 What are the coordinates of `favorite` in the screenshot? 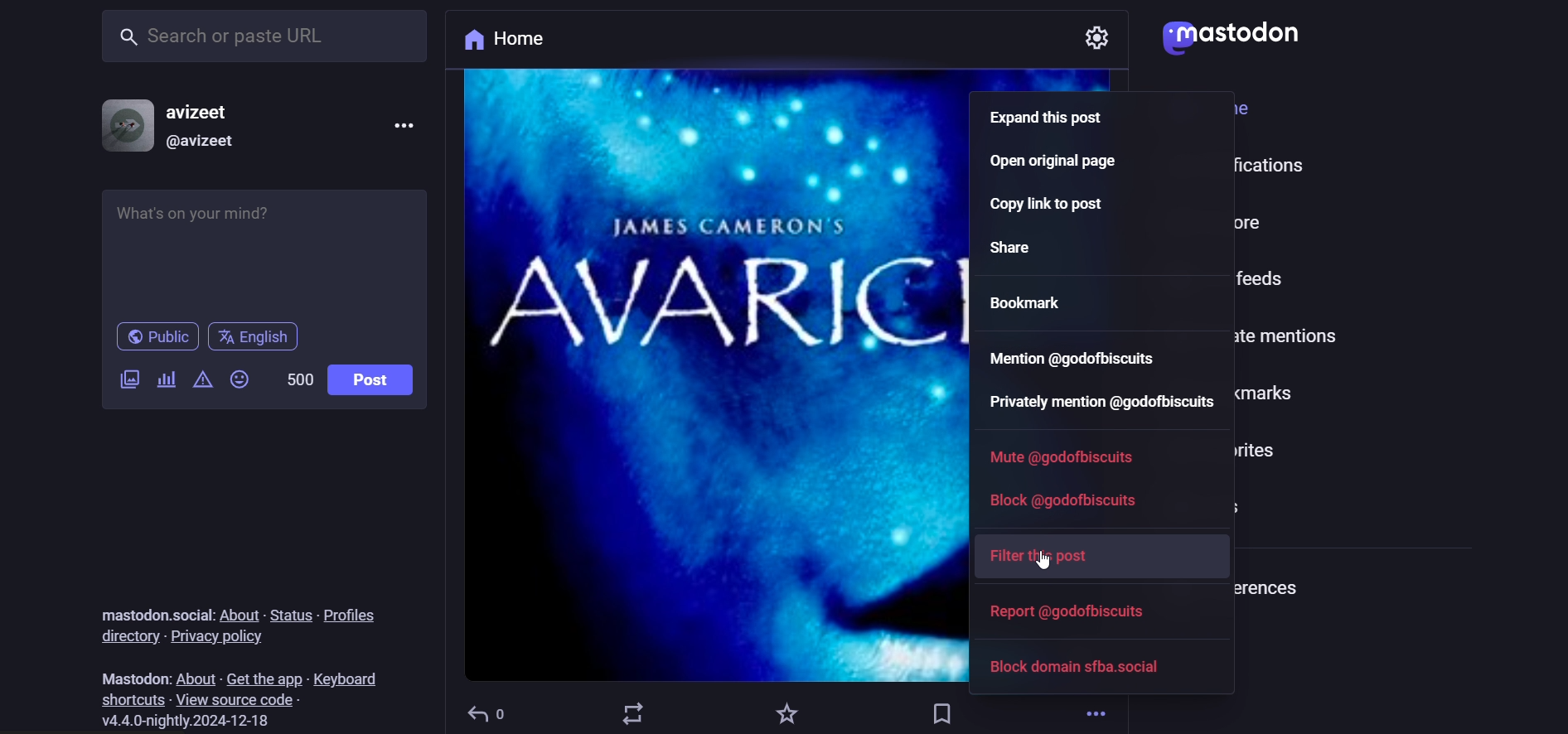 It's located at (784, 711).